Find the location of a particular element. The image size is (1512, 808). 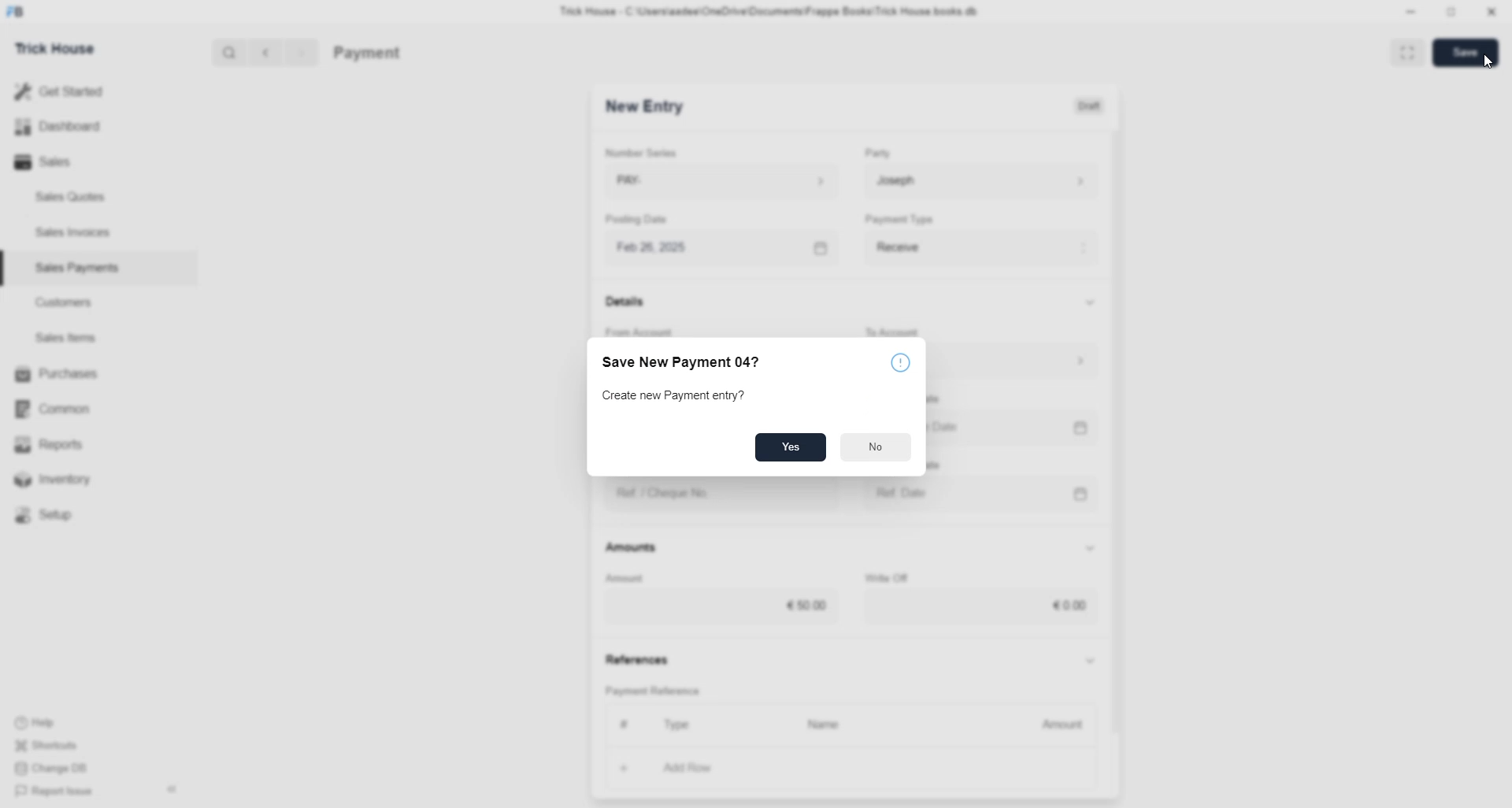

Common is located at coordinates (60, 410).